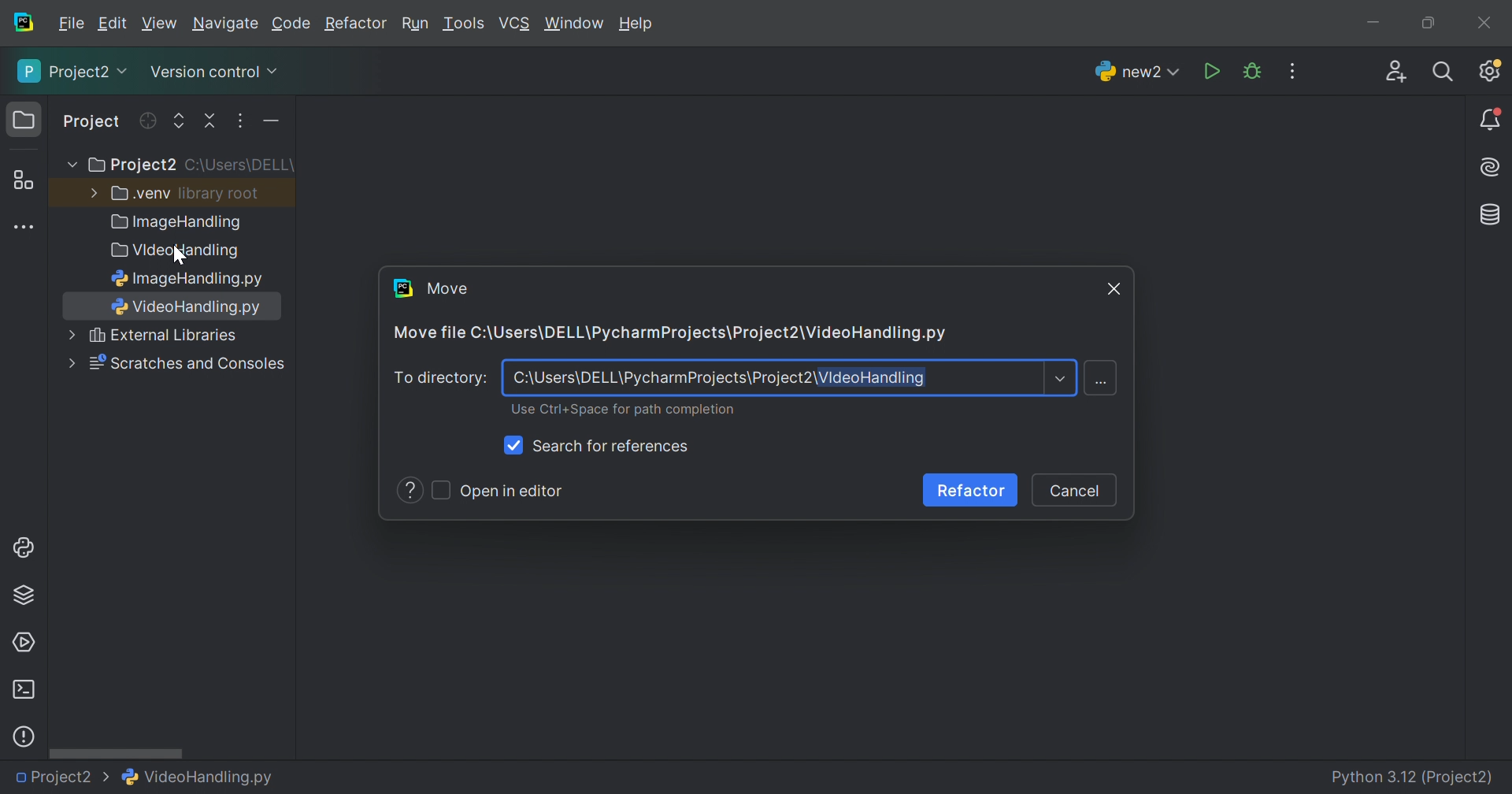 Image resolution: width=1512 pixels, height=794 pixels. I want to click on Search everywhere, so click(1444, 72).